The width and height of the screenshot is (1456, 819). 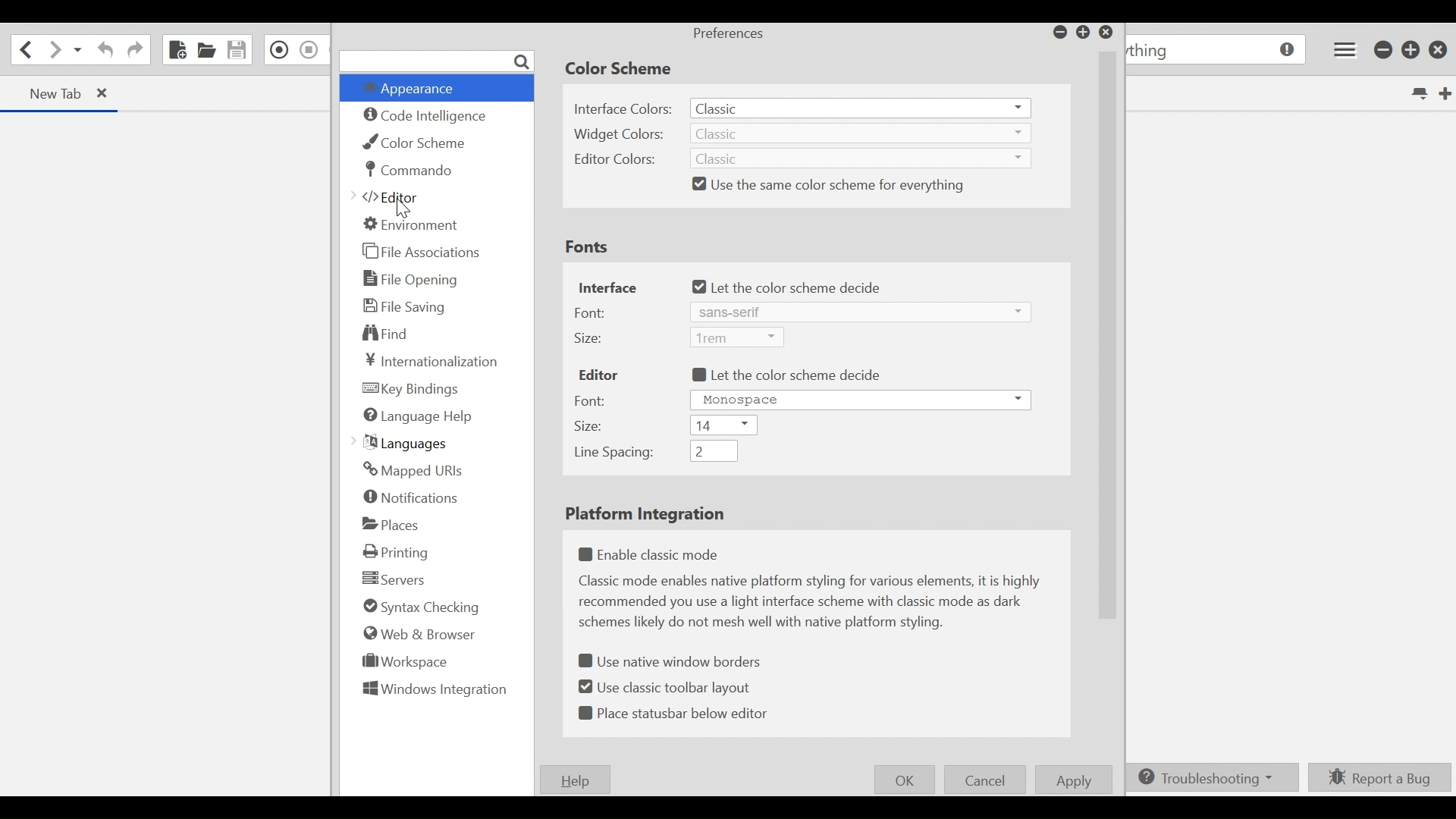 I want to click on (un)select use the same color scheme for everything, so click(x=829, y=186).